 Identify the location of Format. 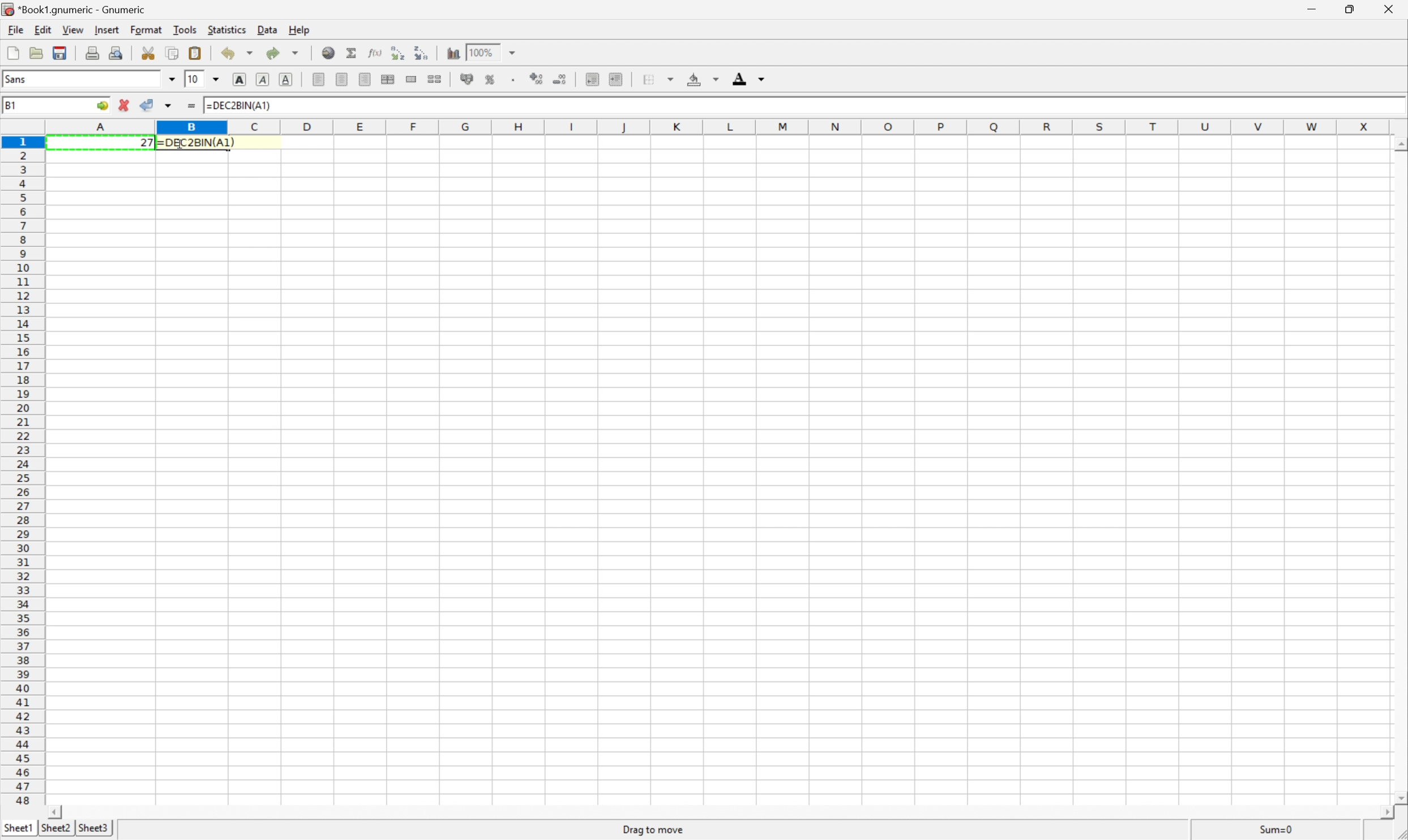
(146, 29).